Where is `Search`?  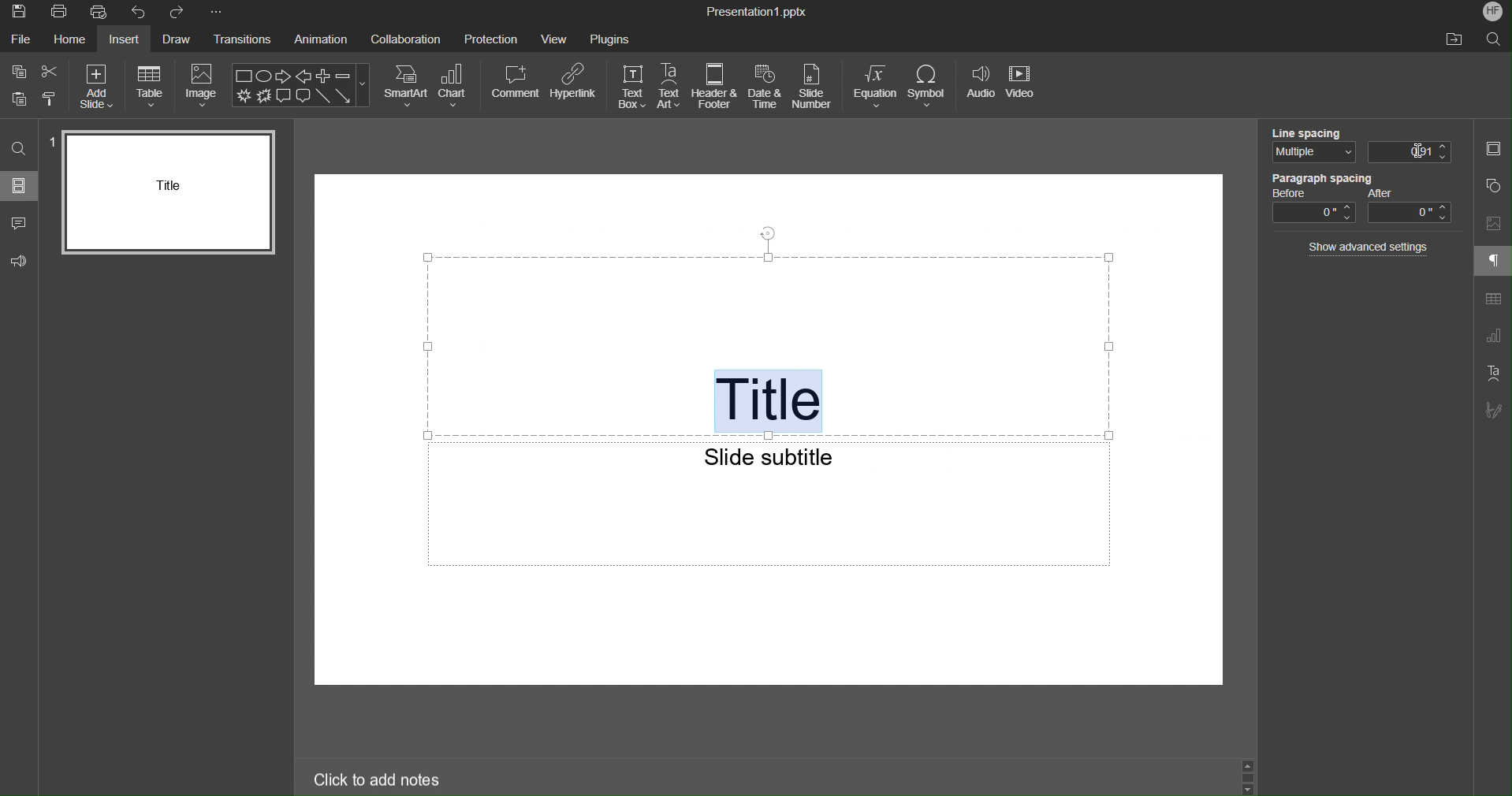
Search is located at coordinates (1495, 40).